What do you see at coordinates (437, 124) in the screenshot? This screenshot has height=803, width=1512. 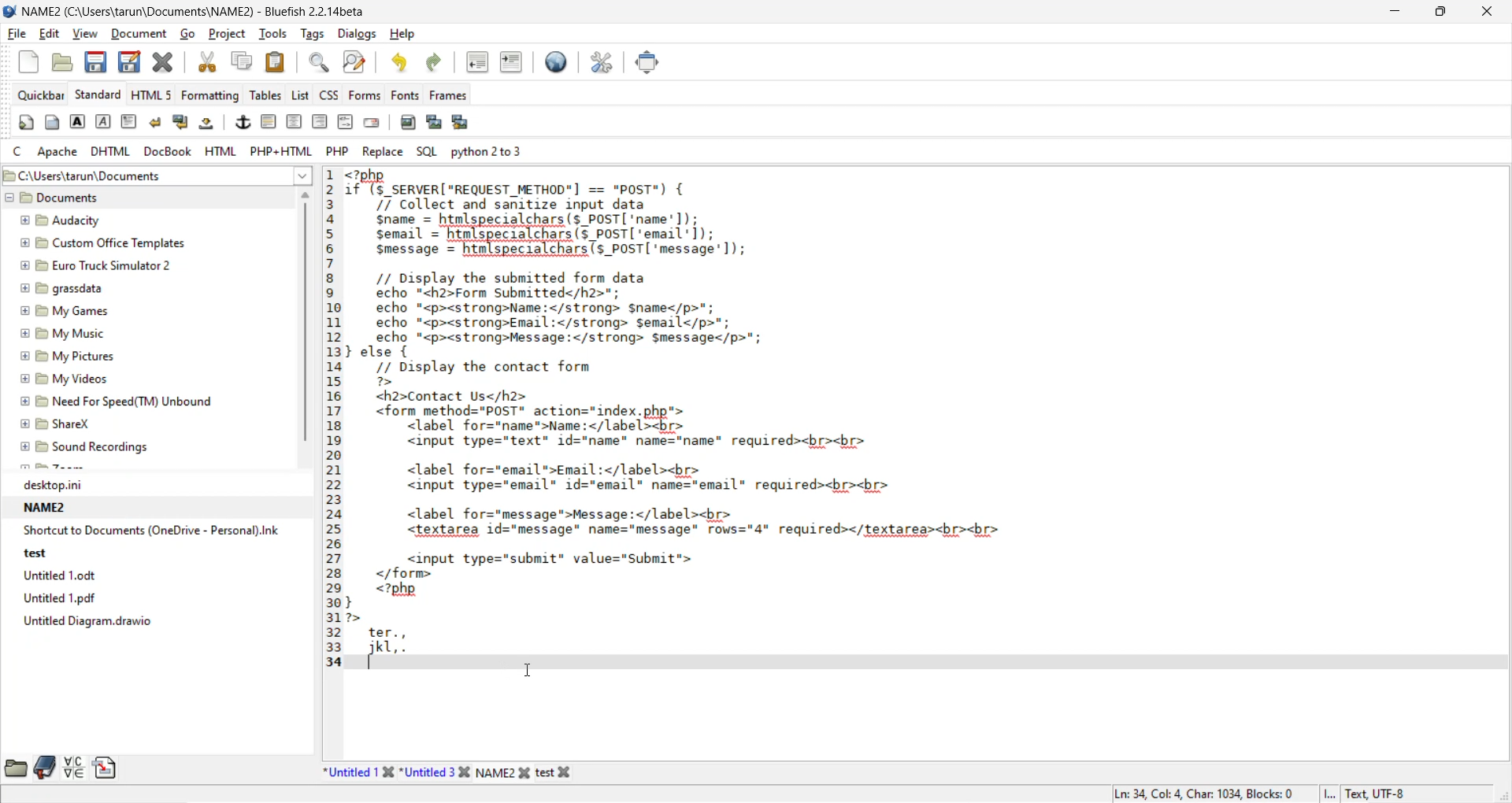 I see `insert thumbnail` at bounding box center [437, 124].